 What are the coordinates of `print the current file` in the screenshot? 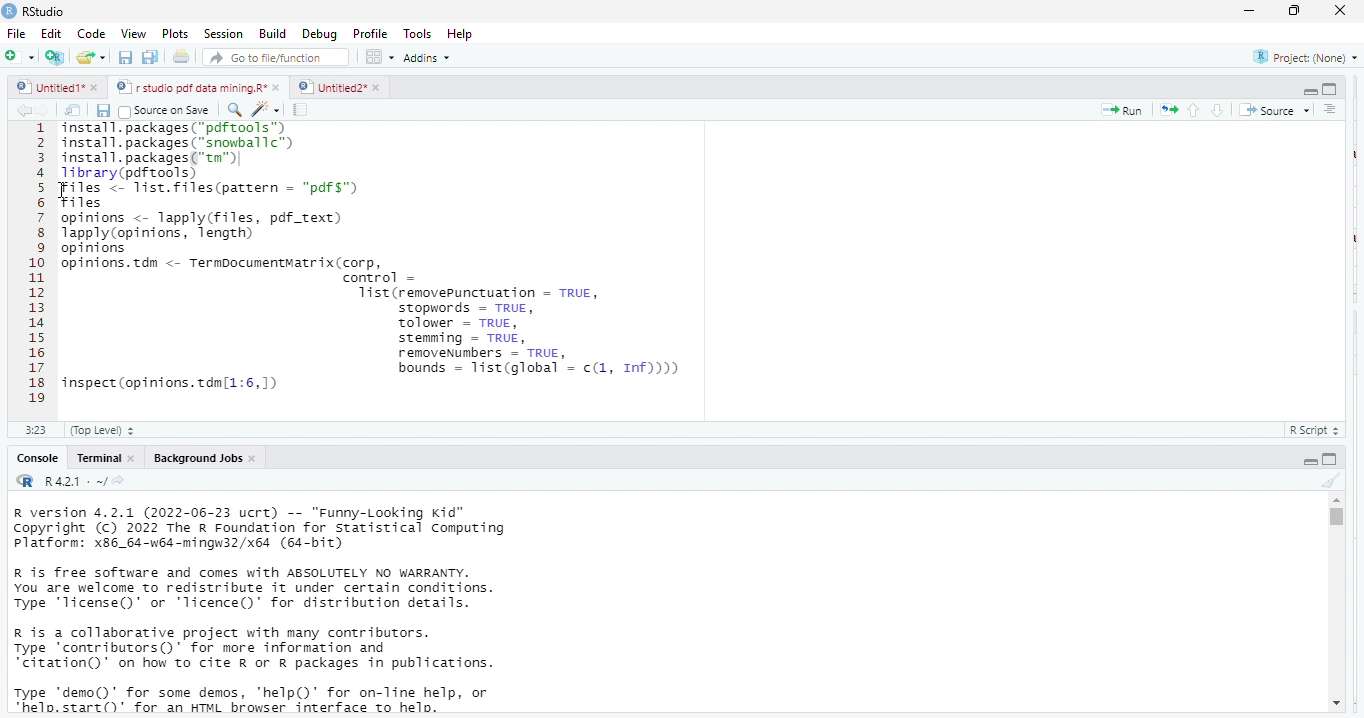 It's located at (182, 58).